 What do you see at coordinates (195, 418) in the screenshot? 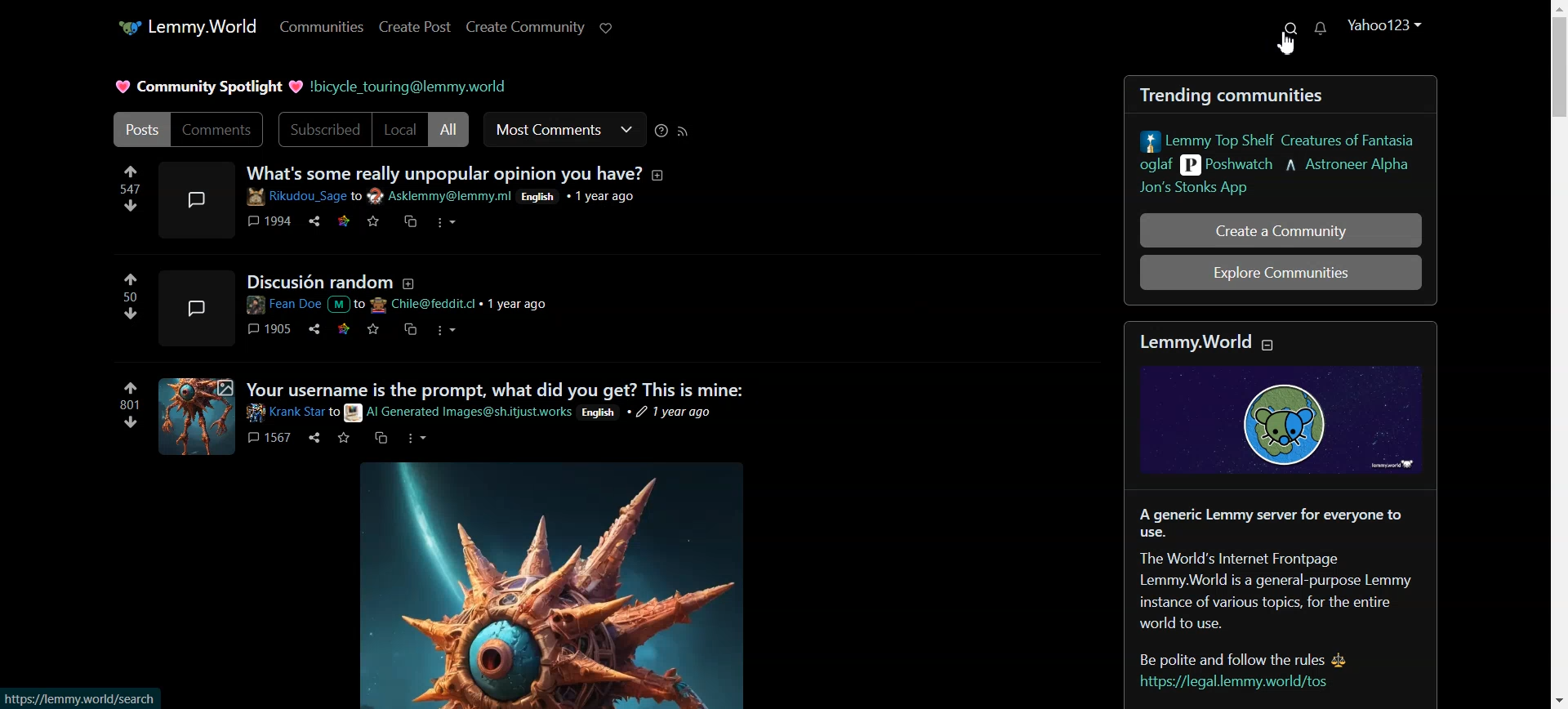
I see `Expand here` at bounding box center [195, 418].